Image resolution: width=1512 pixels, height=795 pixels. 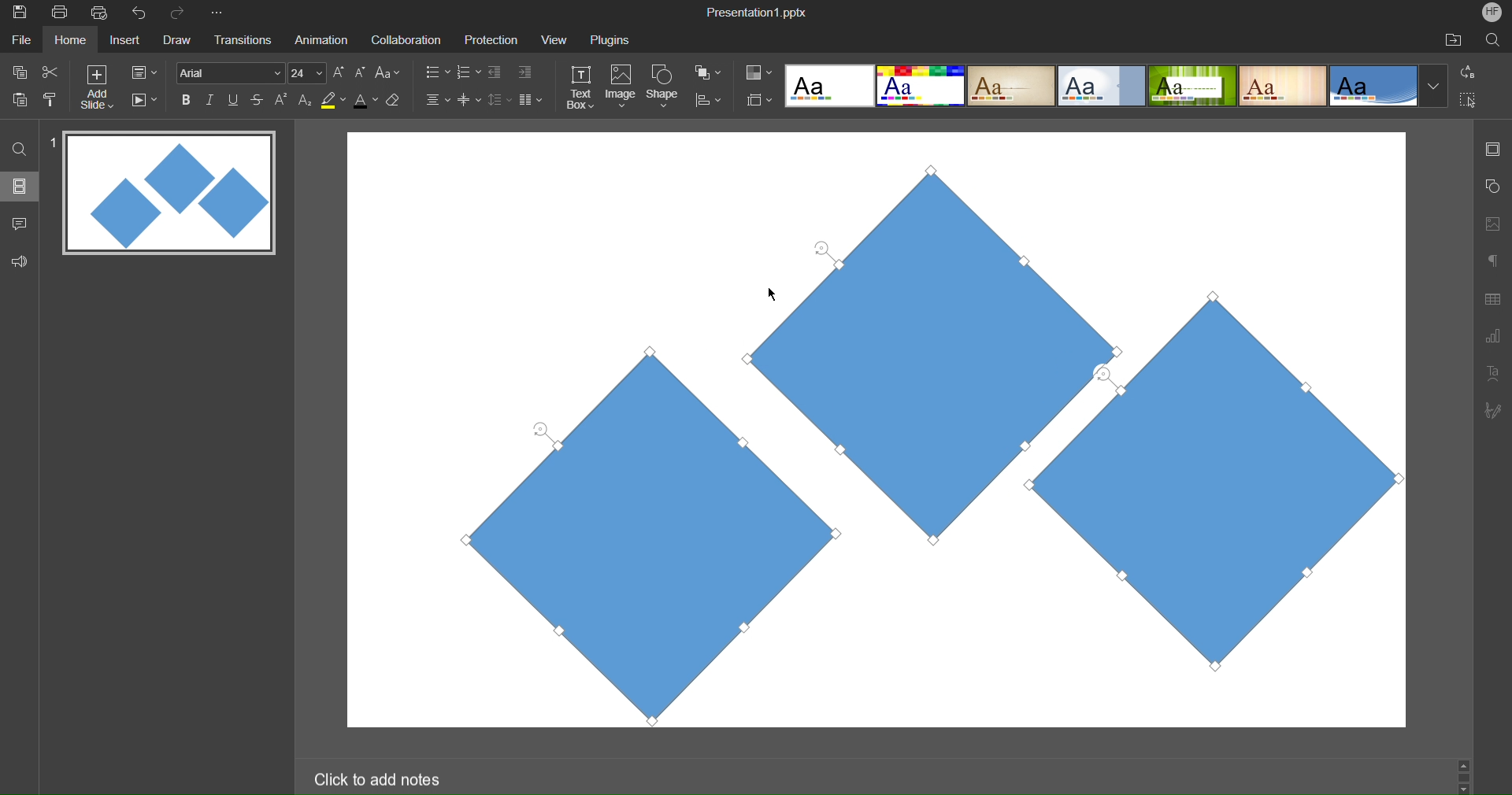 What do you see at coordinates (53, 99) in the screenshot?
I see `Format painter` at bounding box center [53, 99].